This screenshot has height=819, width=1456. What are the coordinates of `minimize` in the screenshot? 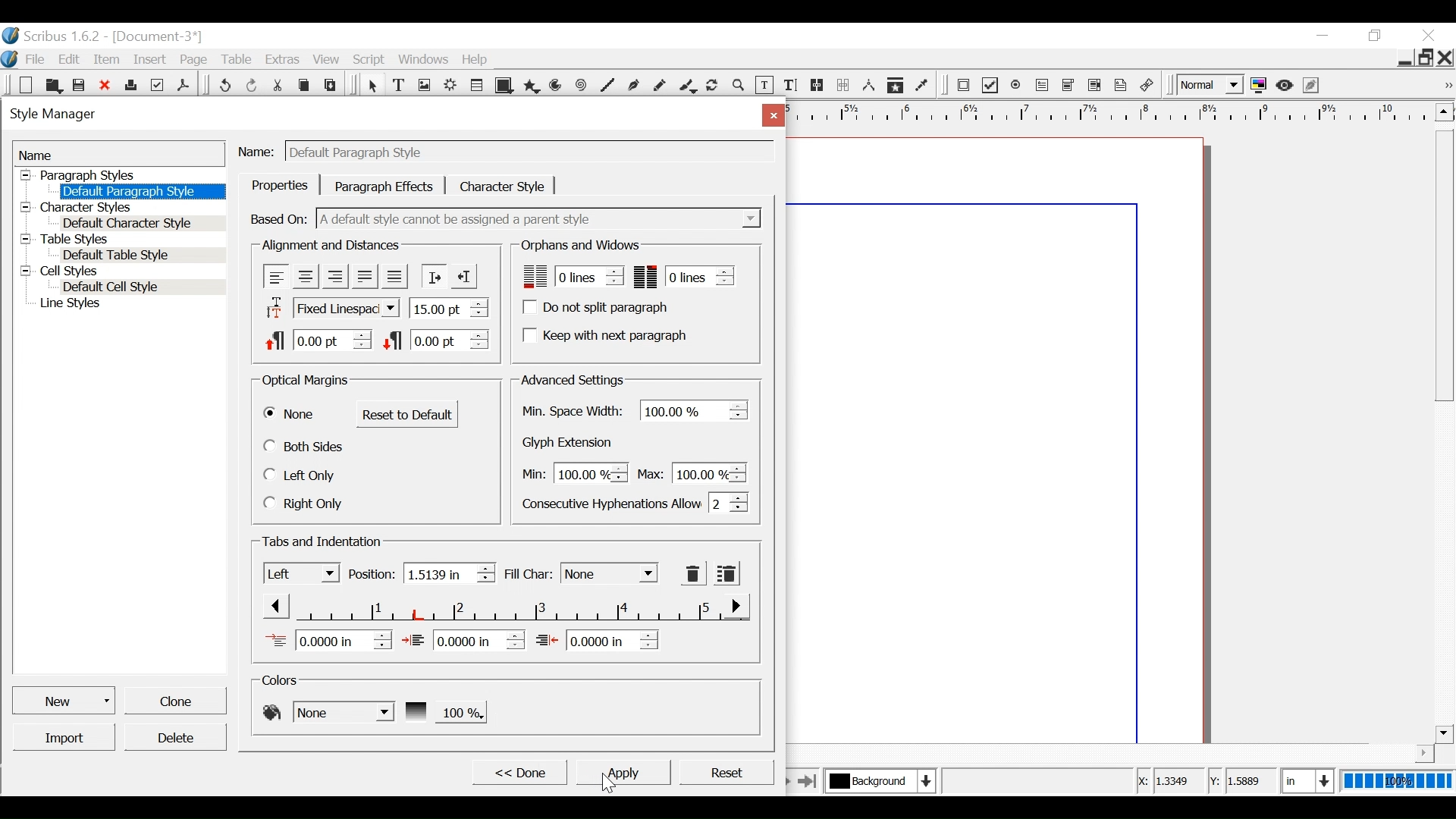 It's located at (1322, 35).